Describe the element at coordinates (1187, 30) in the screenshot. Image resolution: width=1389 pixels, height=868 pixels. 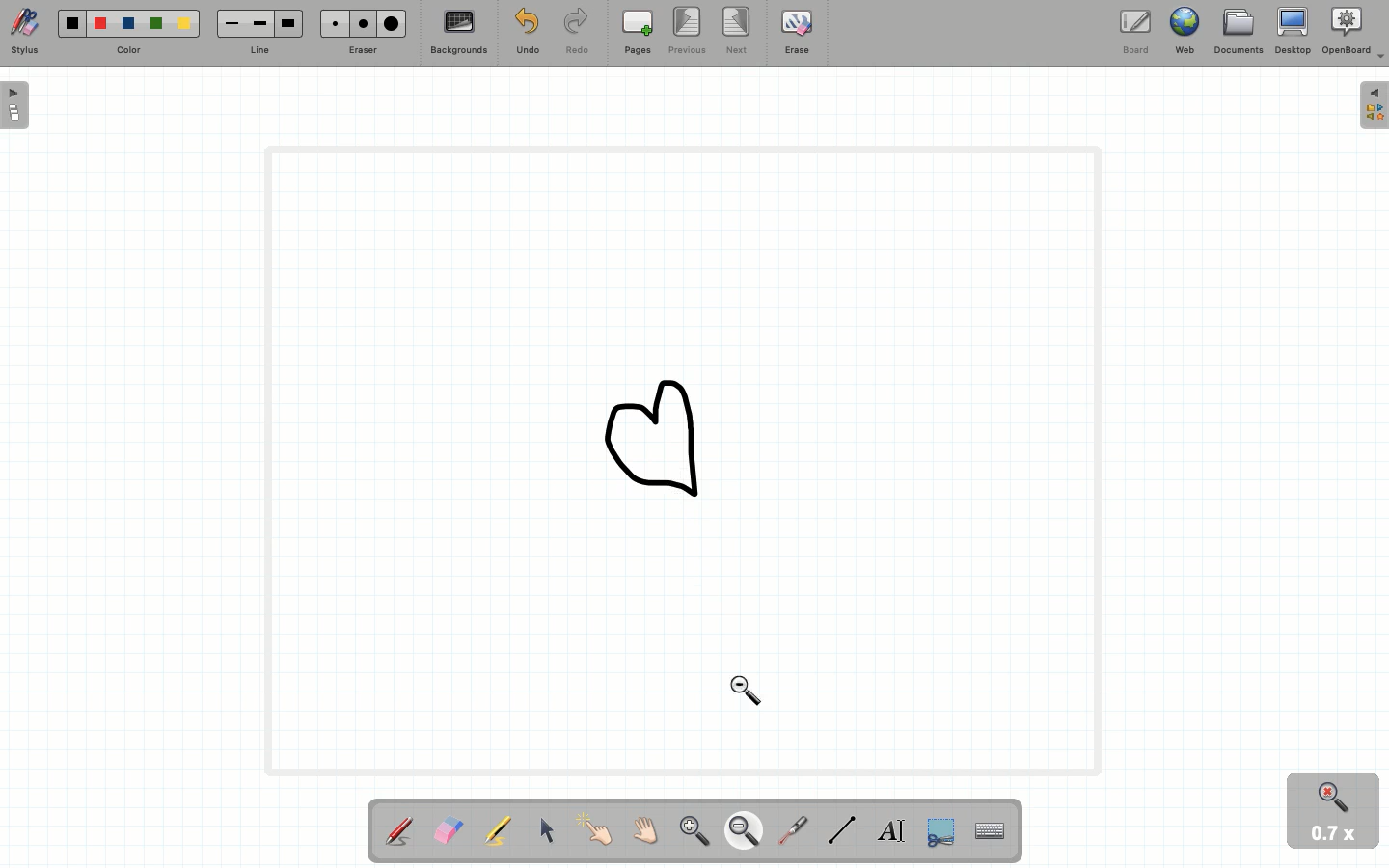
I see `Web` at that location.